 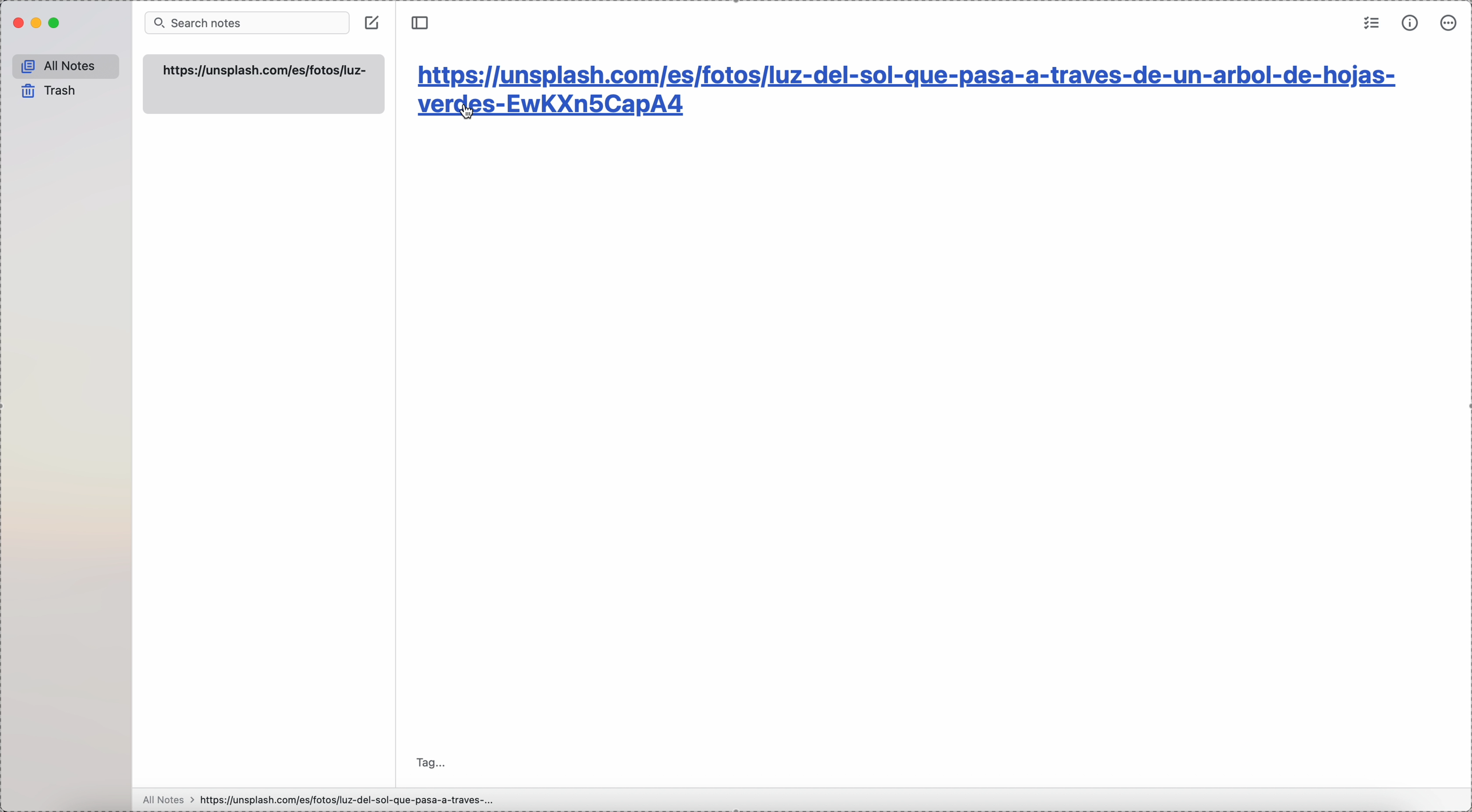 I want to click on check list, so click(x=1370, y=24).